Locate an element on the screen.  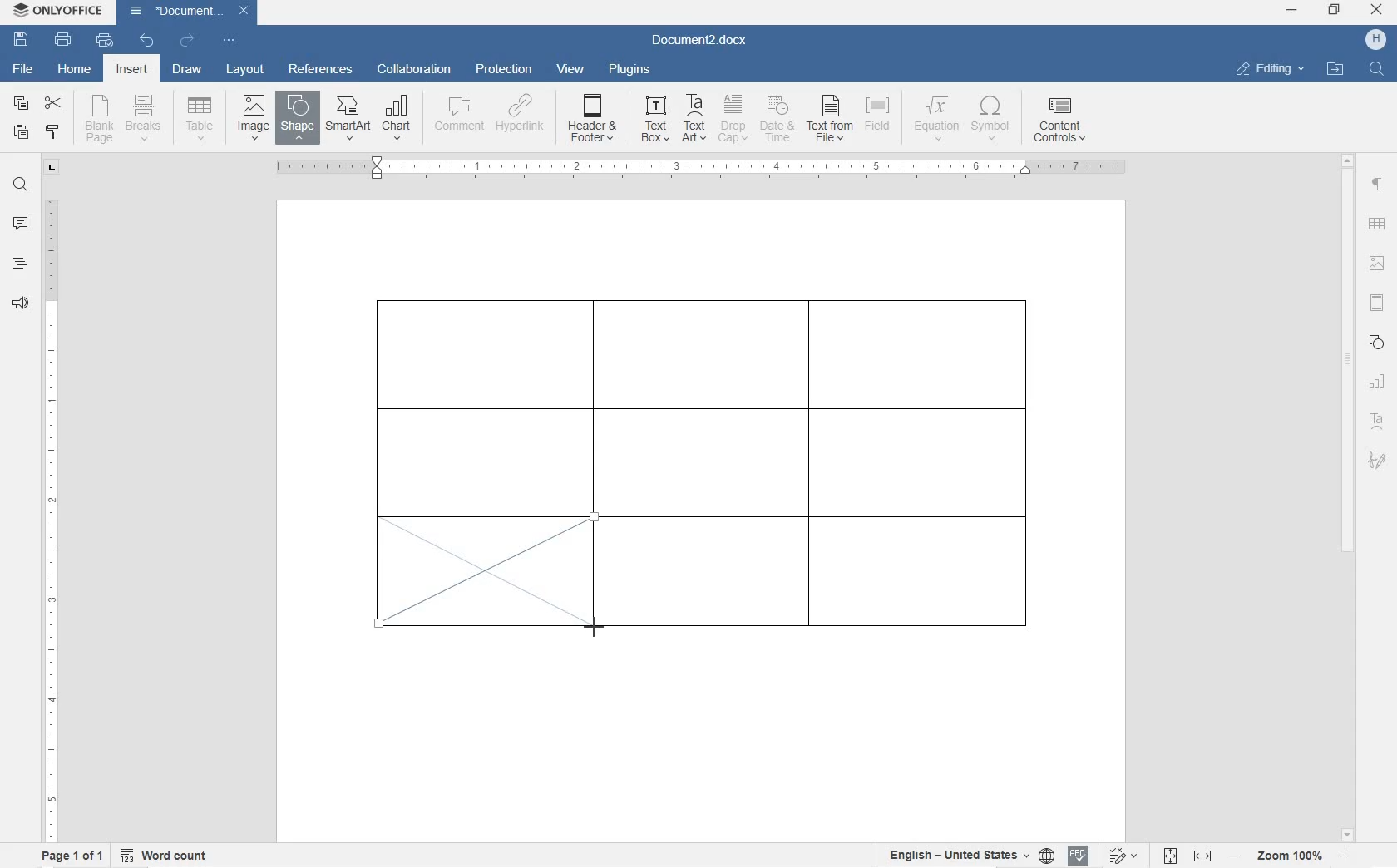
insert table is located at coordinates (196, 118).